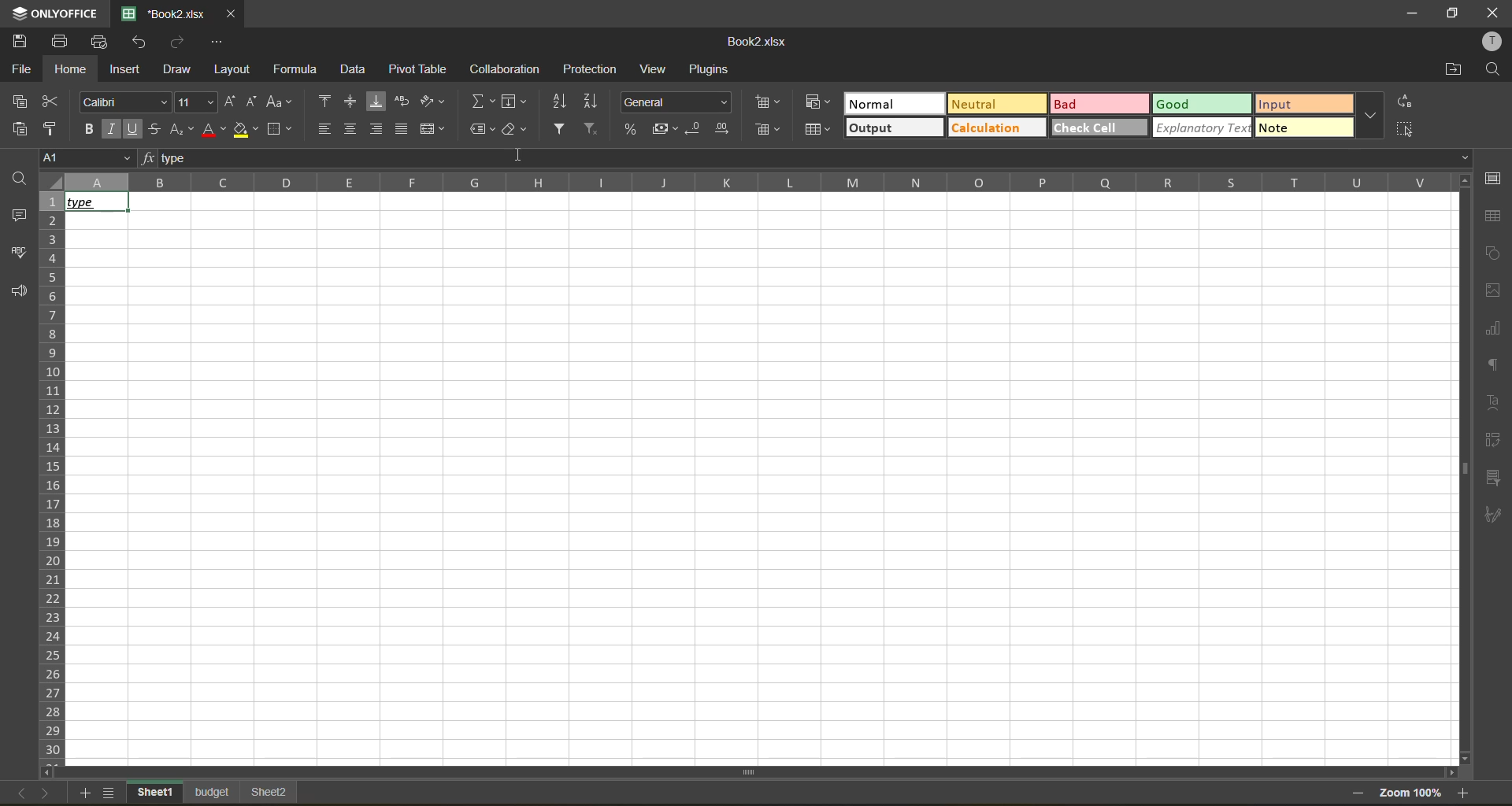 The image size is (1512, 806). Describe the element at coordinates (280, 101) in the screenshot. I see `change case` at that location.